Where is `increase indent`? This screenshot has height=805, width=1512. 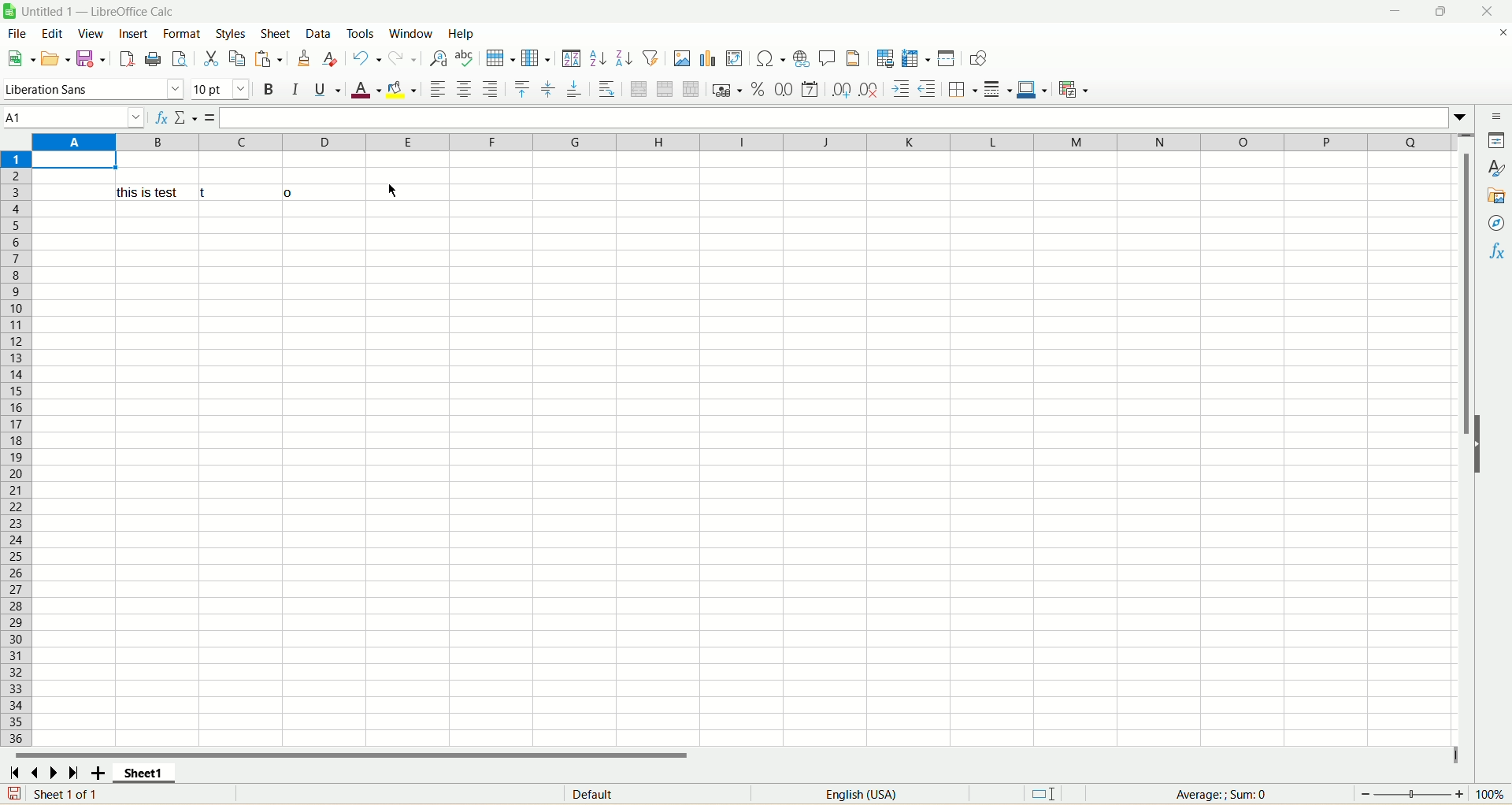
increase indent is located at coordinates (902, 90).